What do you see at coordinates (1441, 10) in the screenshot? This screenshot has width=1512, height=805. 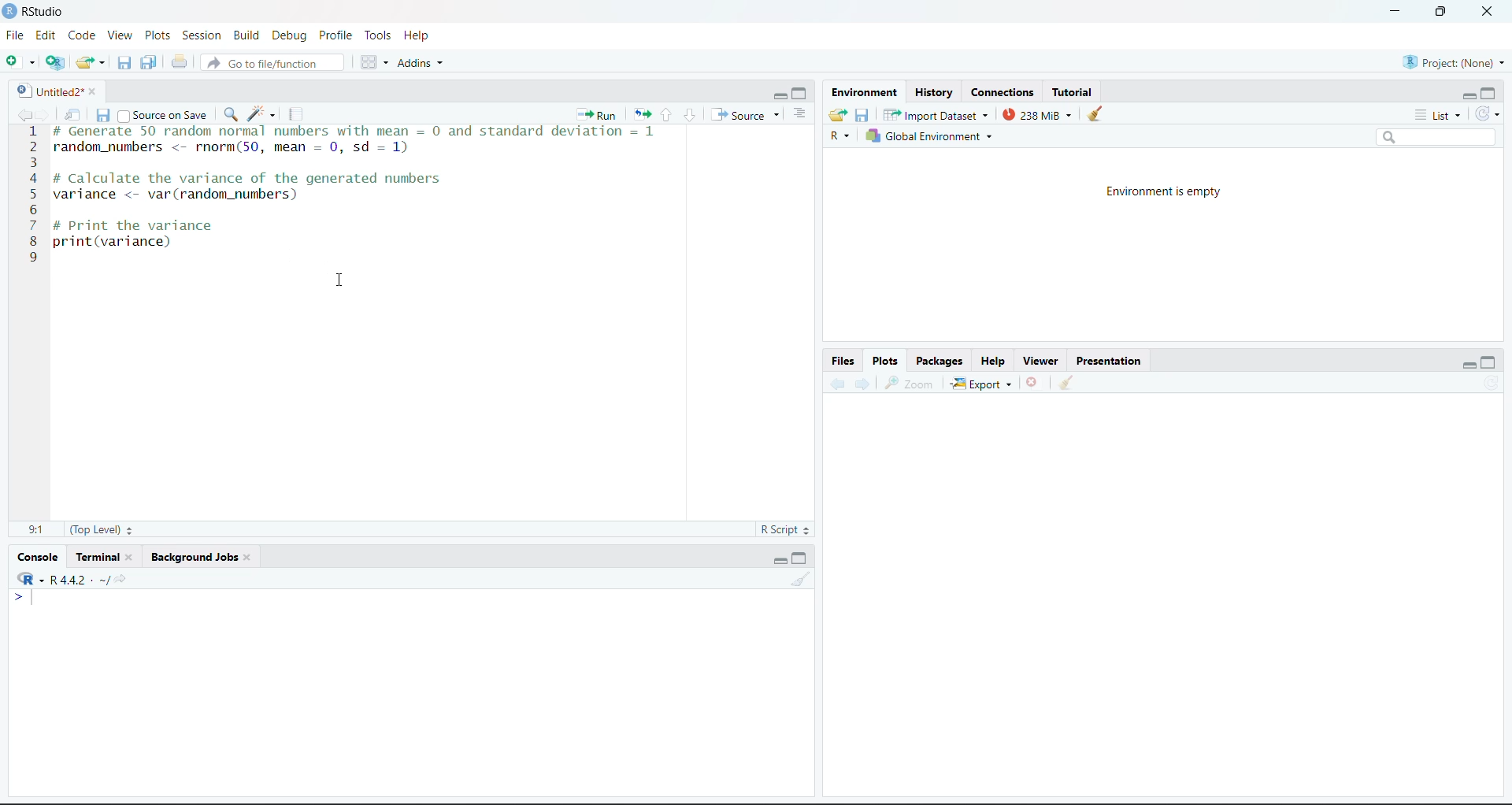 I see `resize` at bounding box center [1441, 10].